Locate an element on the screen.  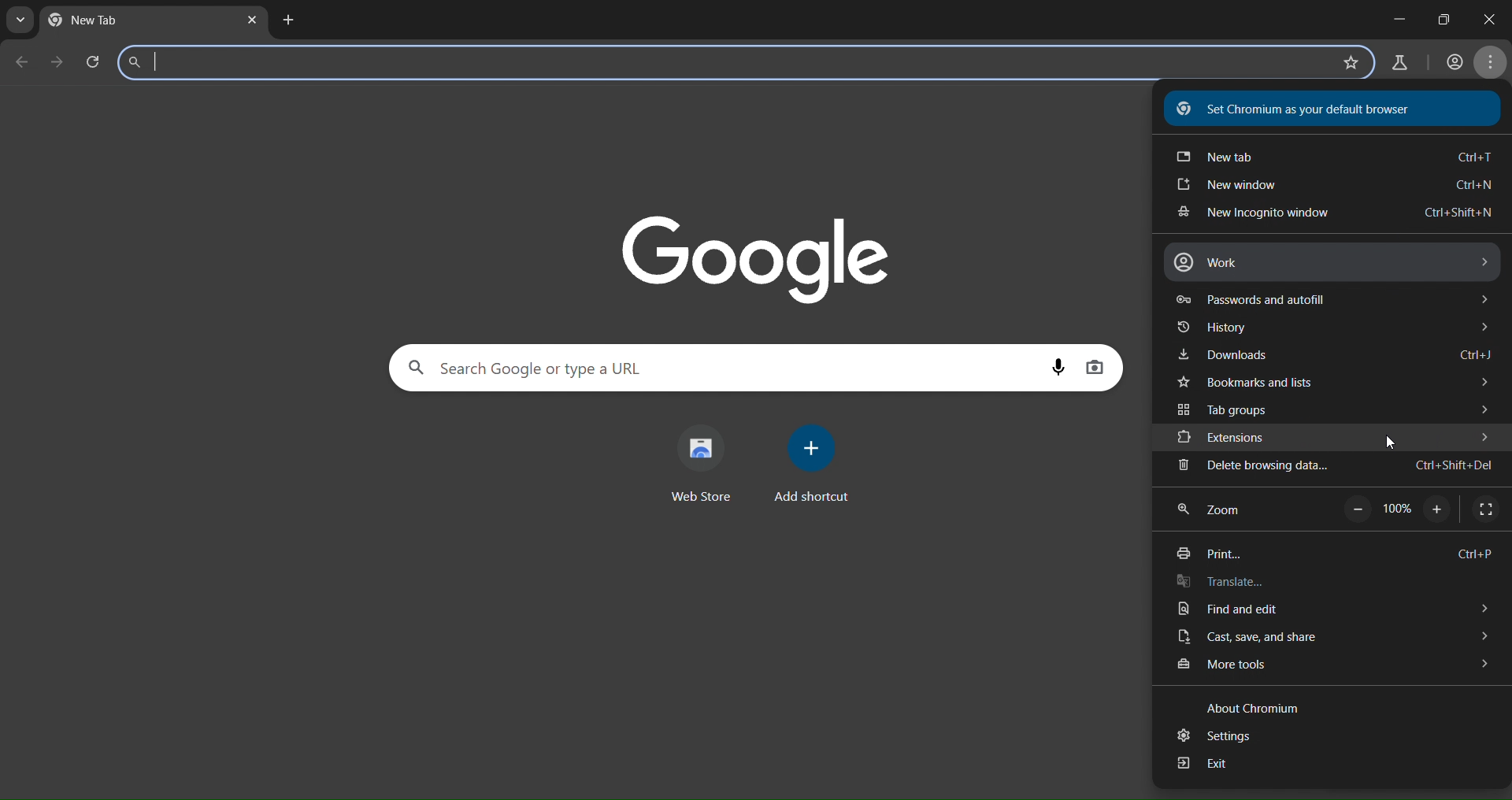
minimize is located at coordinates (1396, 16).